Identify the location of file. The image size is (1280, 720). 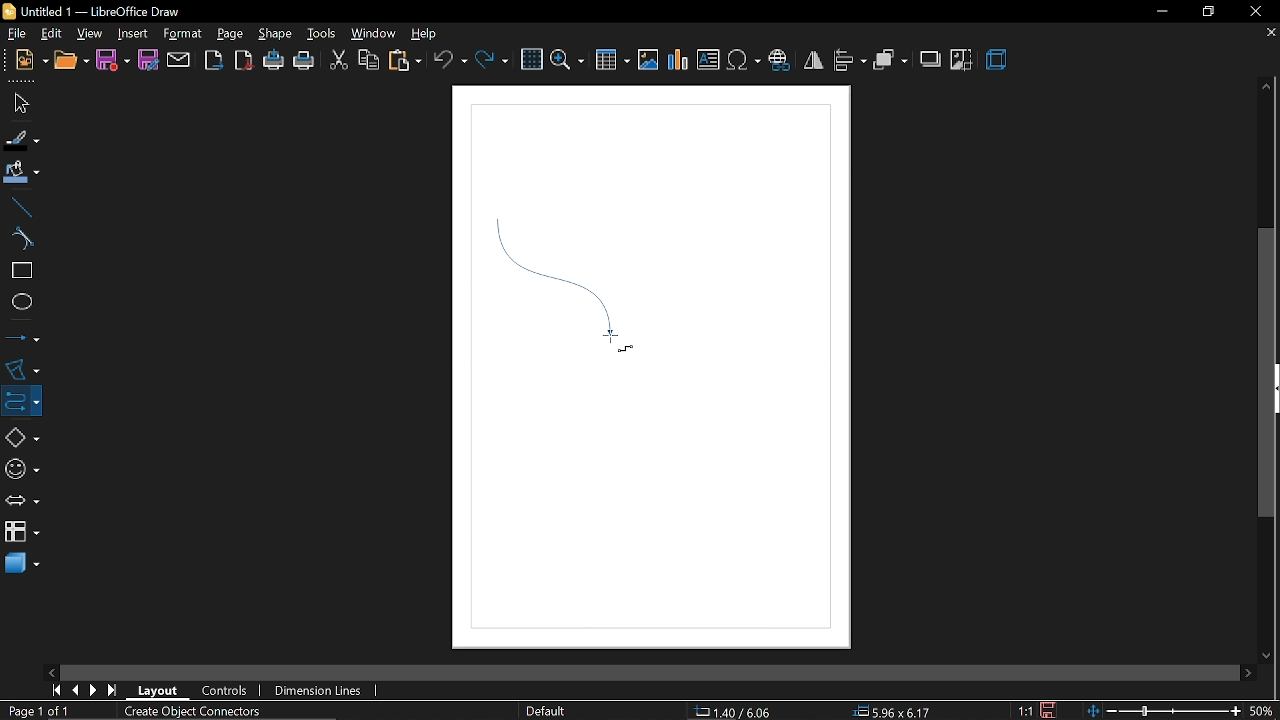
(13, 33).